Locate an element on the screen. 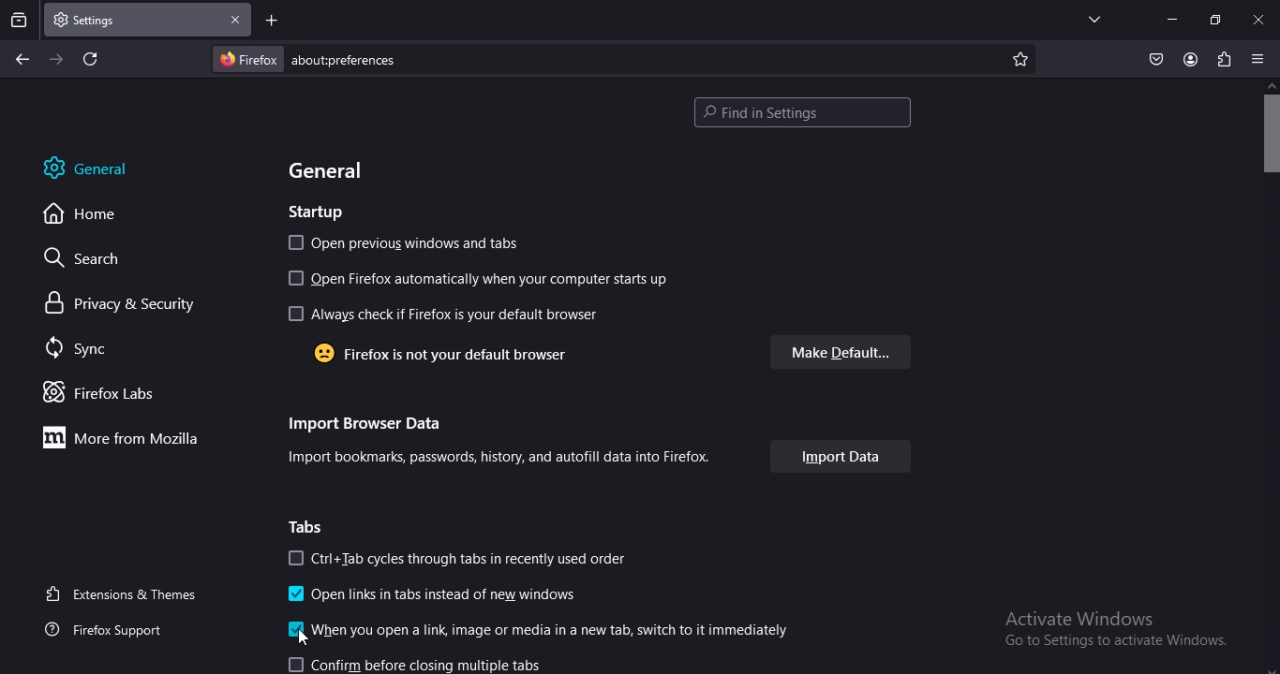 This screenshot has width=1280, height=674. extensions & themes is located at coordinates (121, 594).